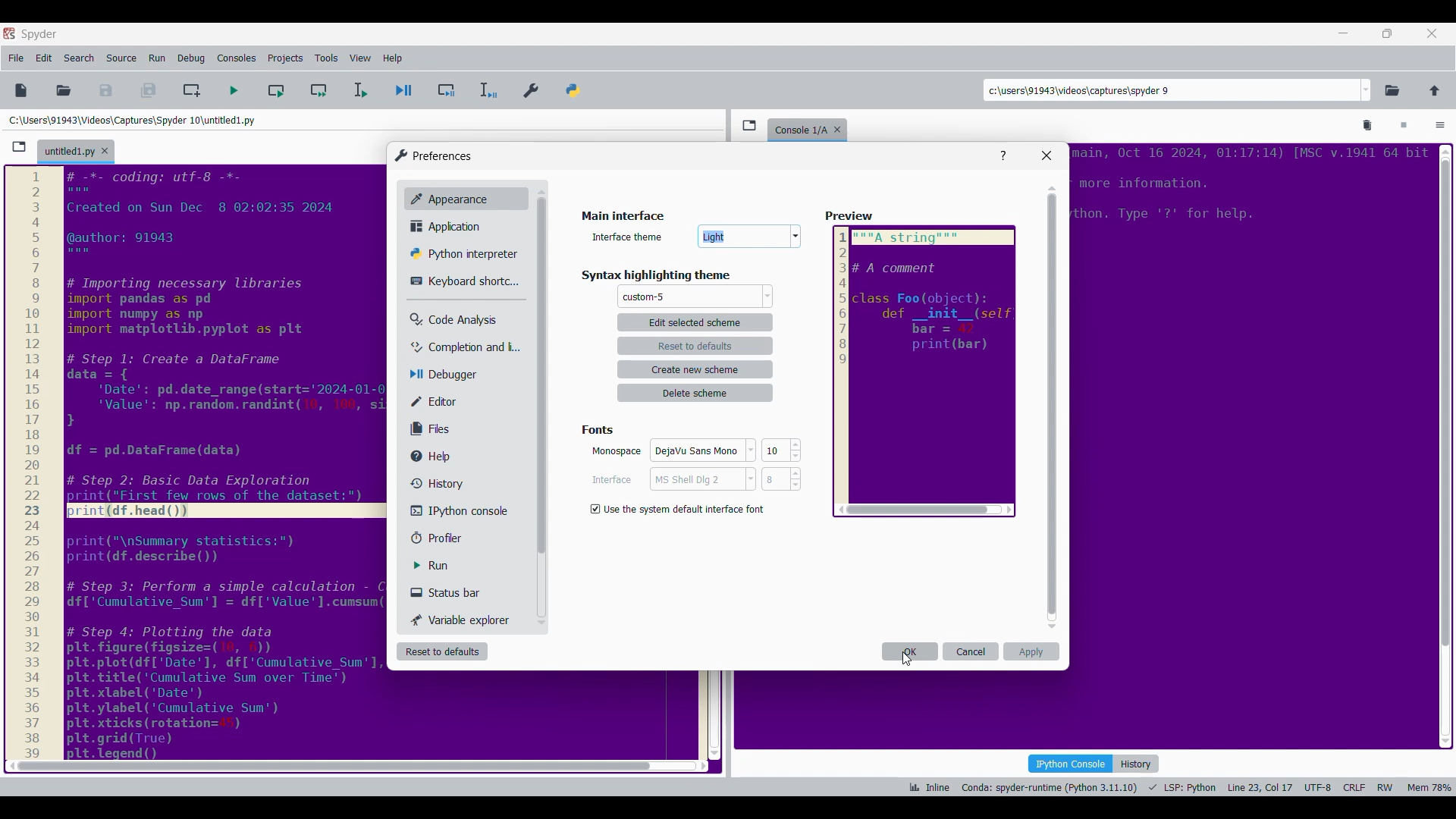 Image resolution: width=1456 pixels, height=819 pixels. I want to click on Help menu, so click(392, 58).